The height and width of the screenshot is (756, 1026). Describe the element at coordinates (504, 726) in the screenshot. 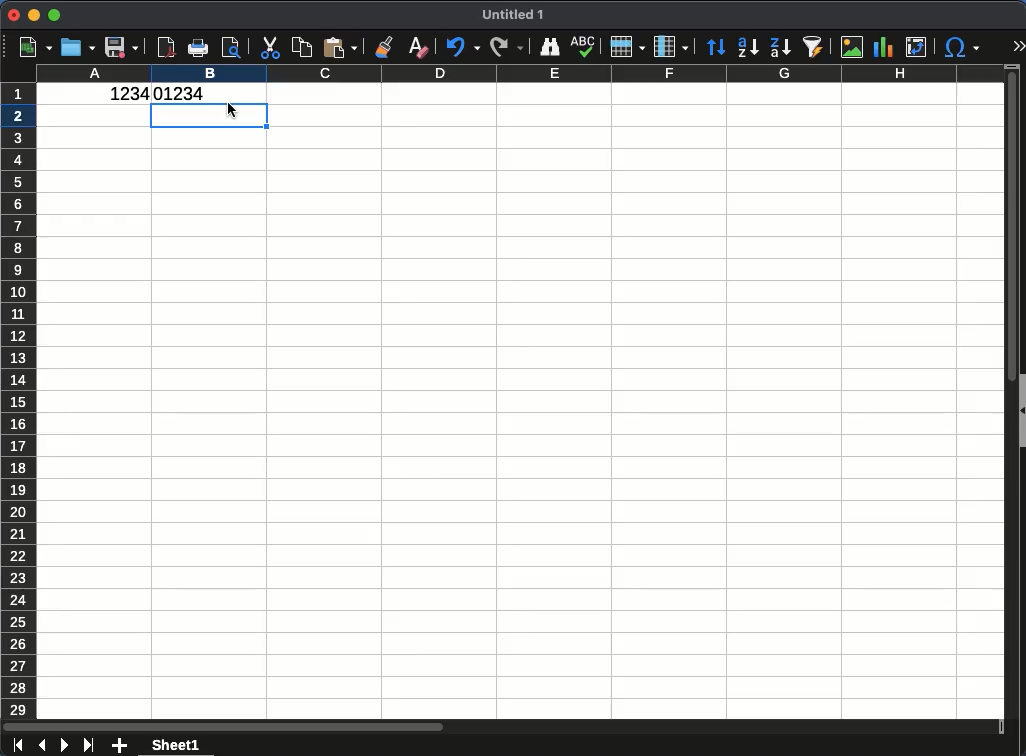

I see `scroll` at that location.